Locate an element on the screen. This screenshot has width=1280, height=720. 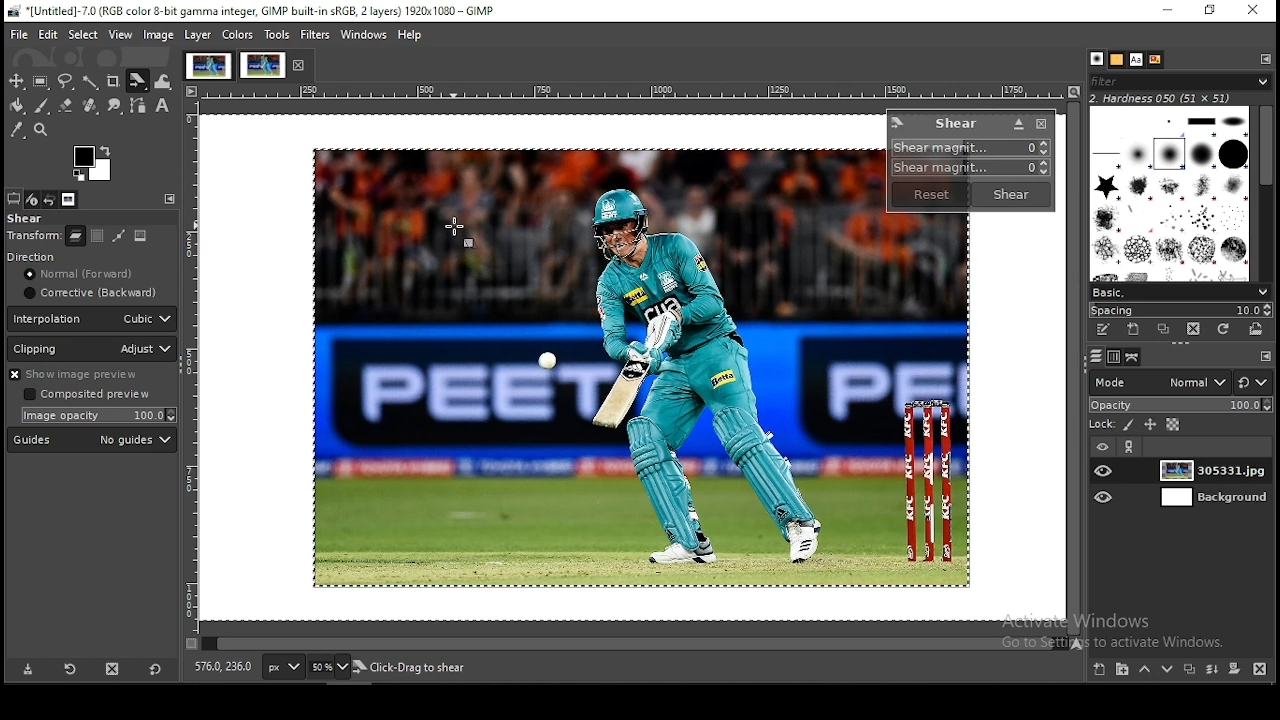
merge layers is located at coordinates (1211, 670).